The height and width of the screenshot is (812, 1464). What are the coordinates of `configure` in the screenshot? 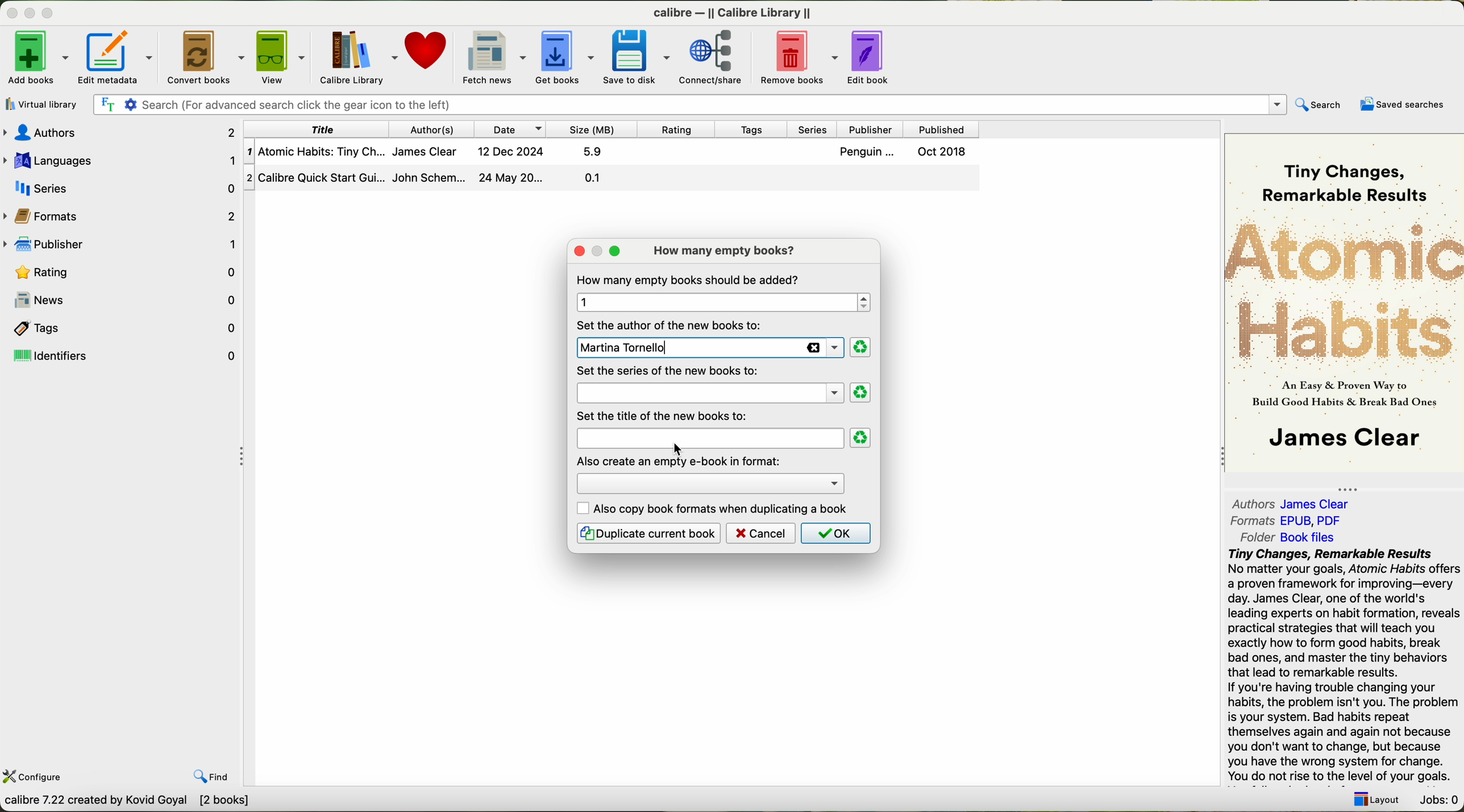 It's located at (35, 777).